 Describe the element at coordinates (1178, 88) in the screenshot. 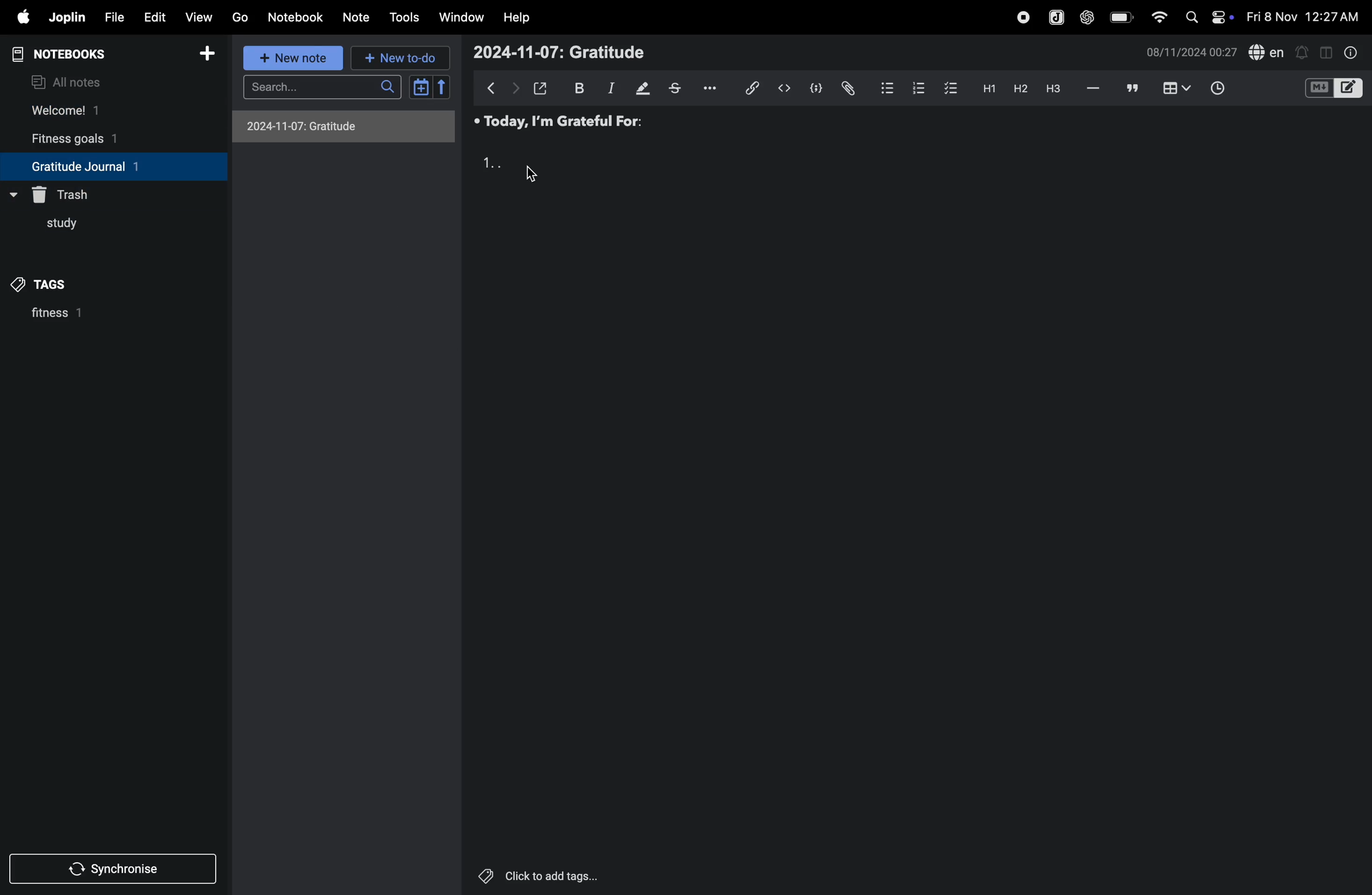

I see `table view` at that location.